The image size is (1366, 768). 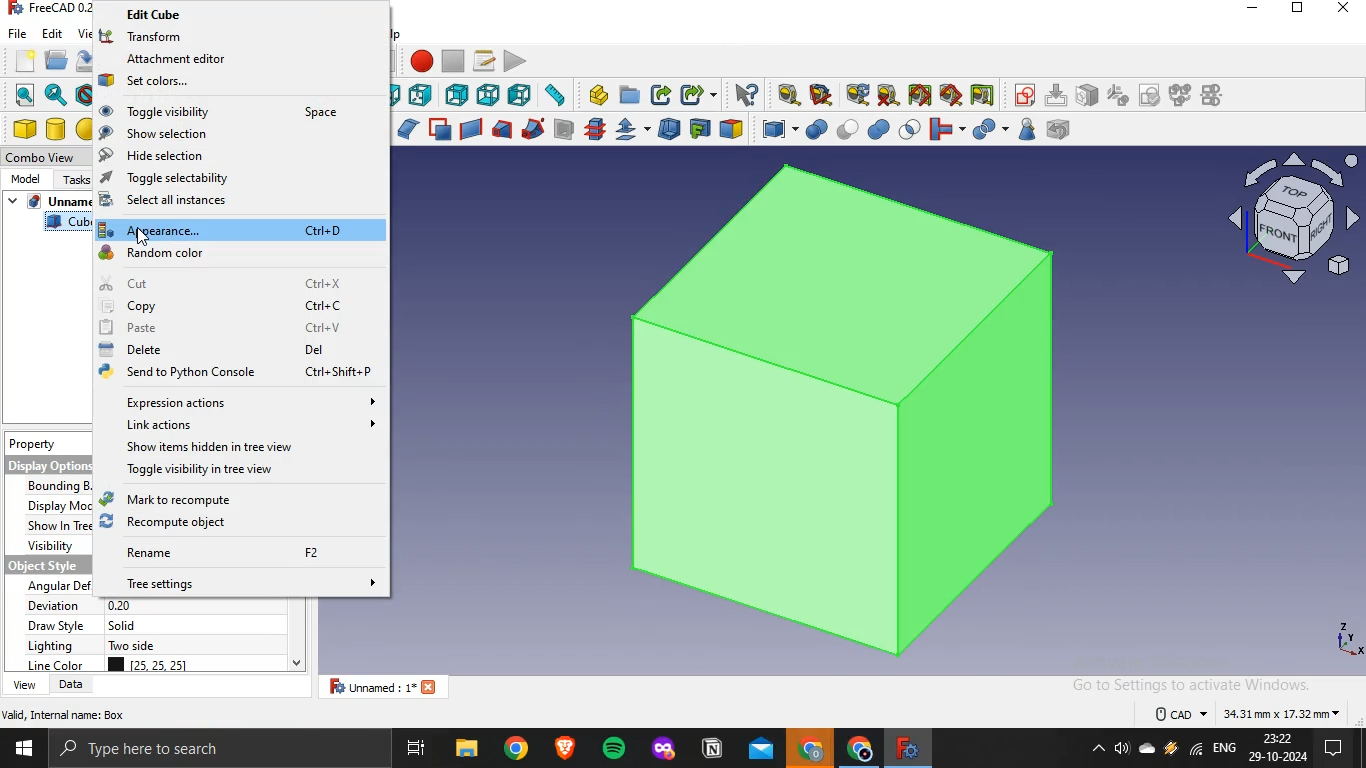 I want to click on edit cube, so click(x=229, y=15).